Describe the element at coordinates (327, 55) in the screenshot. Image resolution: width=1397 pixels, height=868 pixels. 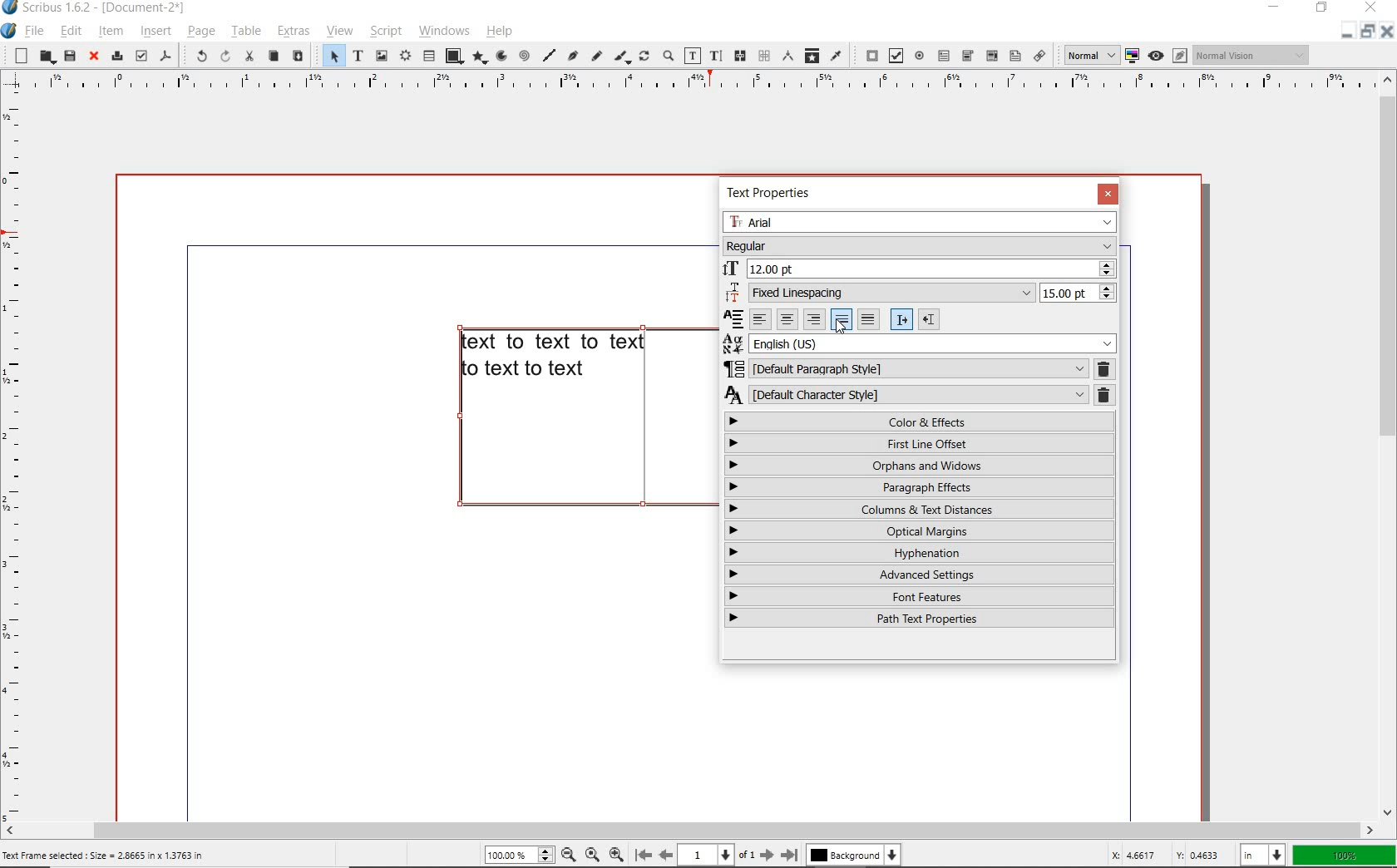
I see `select item` at that location.